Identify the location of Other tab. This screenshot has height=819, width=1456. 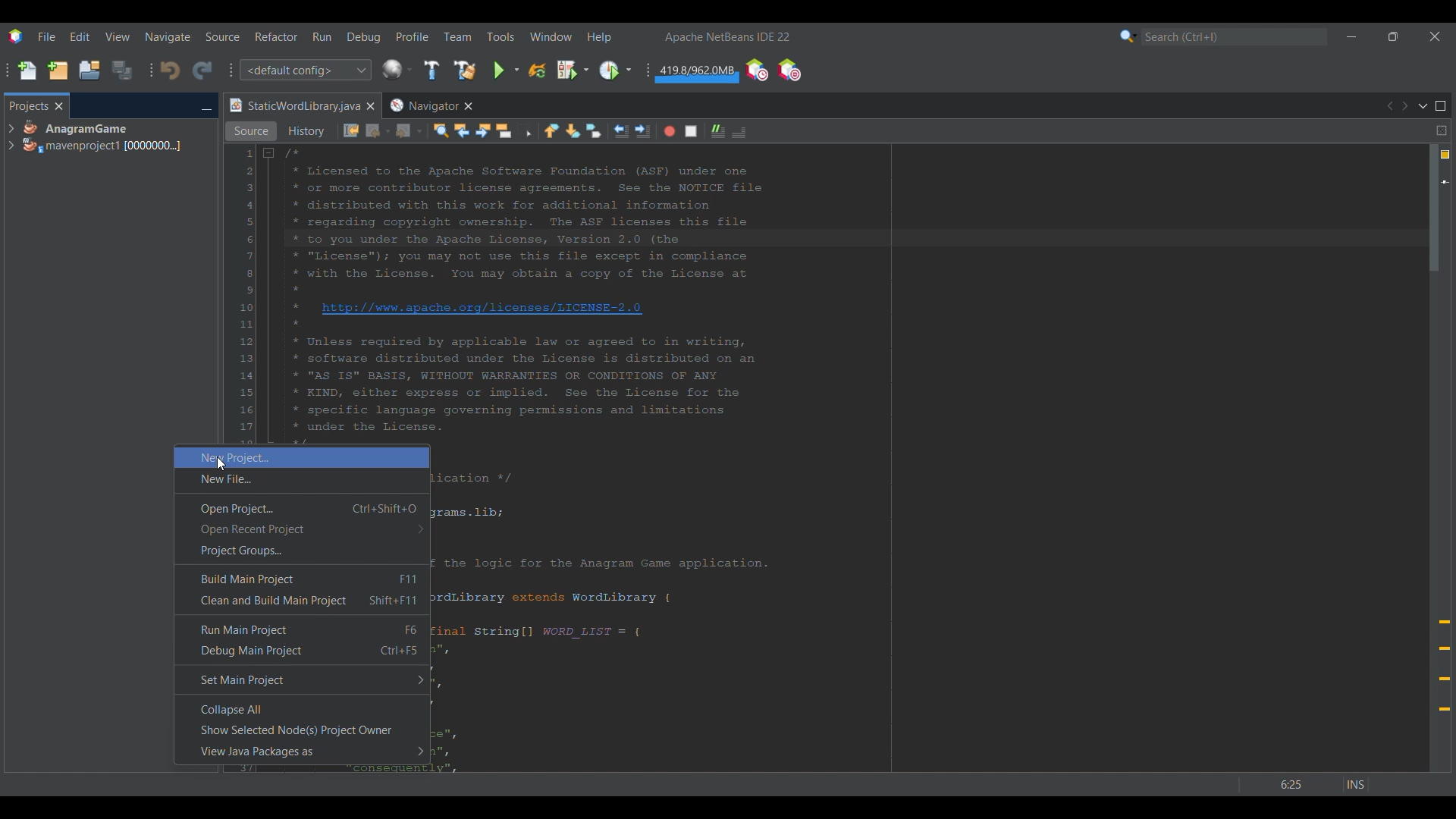
(430, 105).